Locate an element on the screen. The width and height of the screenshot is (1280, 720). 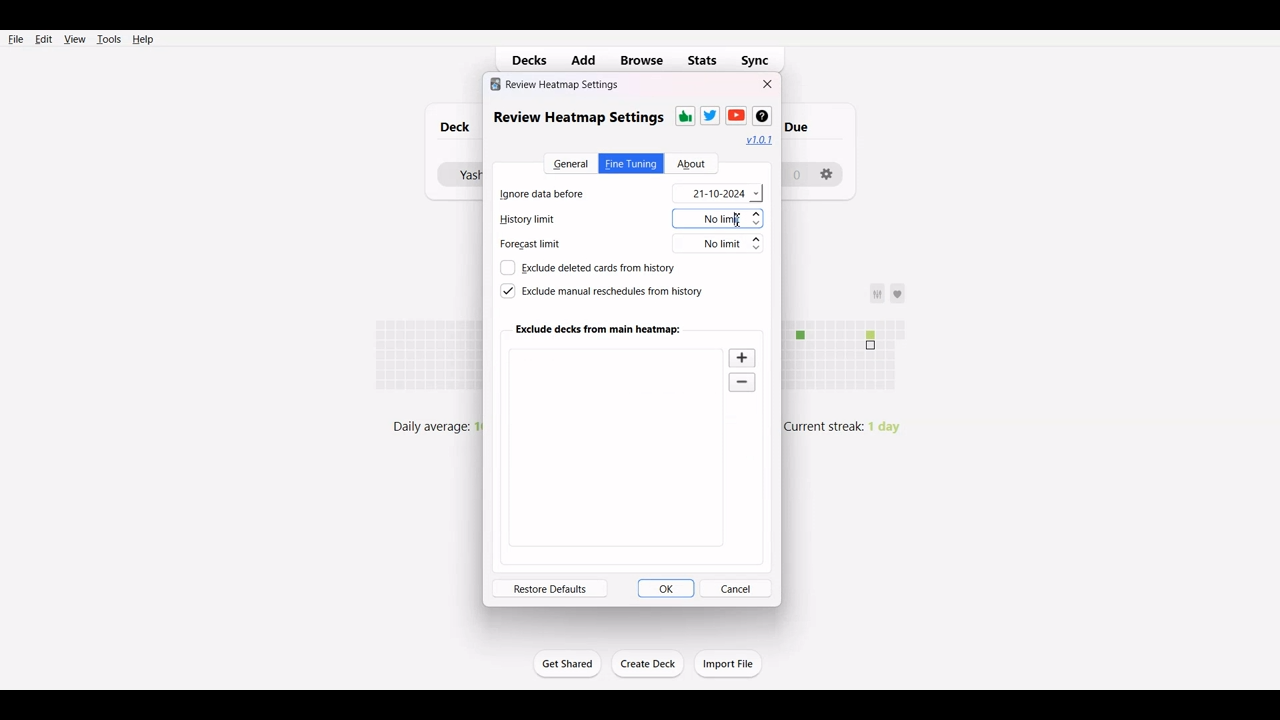
View is located at coordinates (74, 39).